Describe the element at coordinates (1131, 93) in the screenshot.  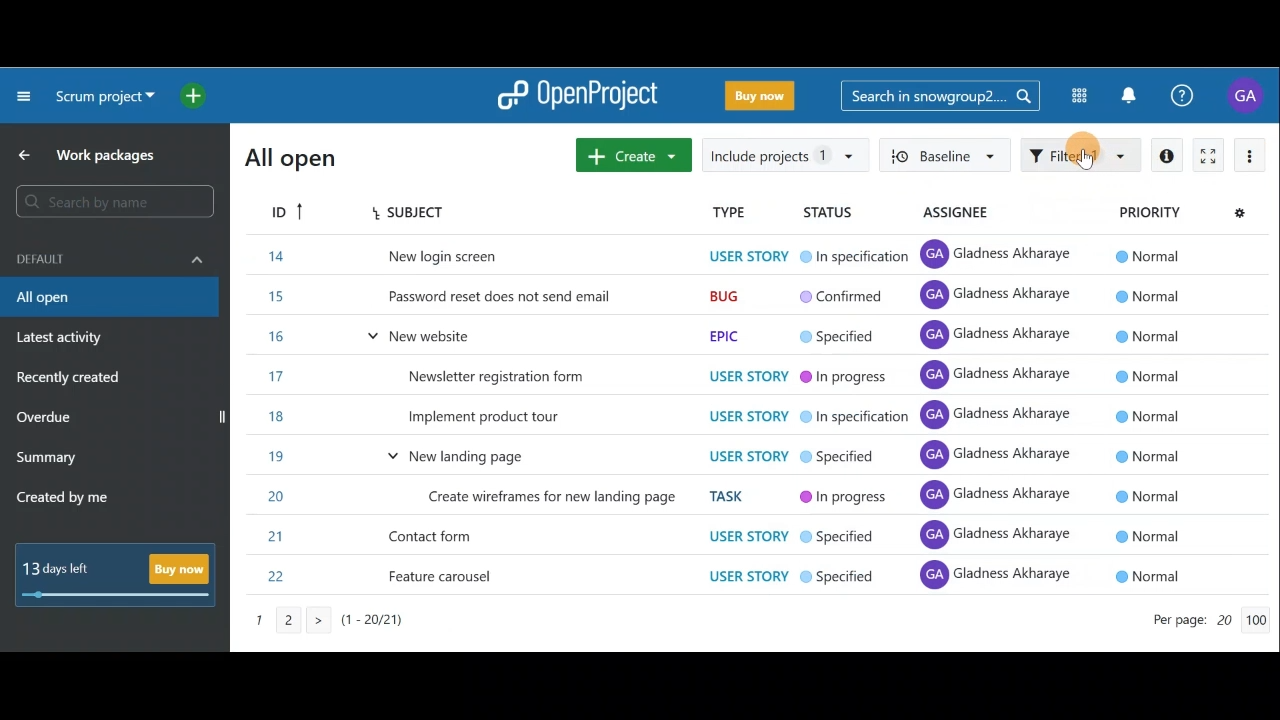
I see `Notification center` at that location.